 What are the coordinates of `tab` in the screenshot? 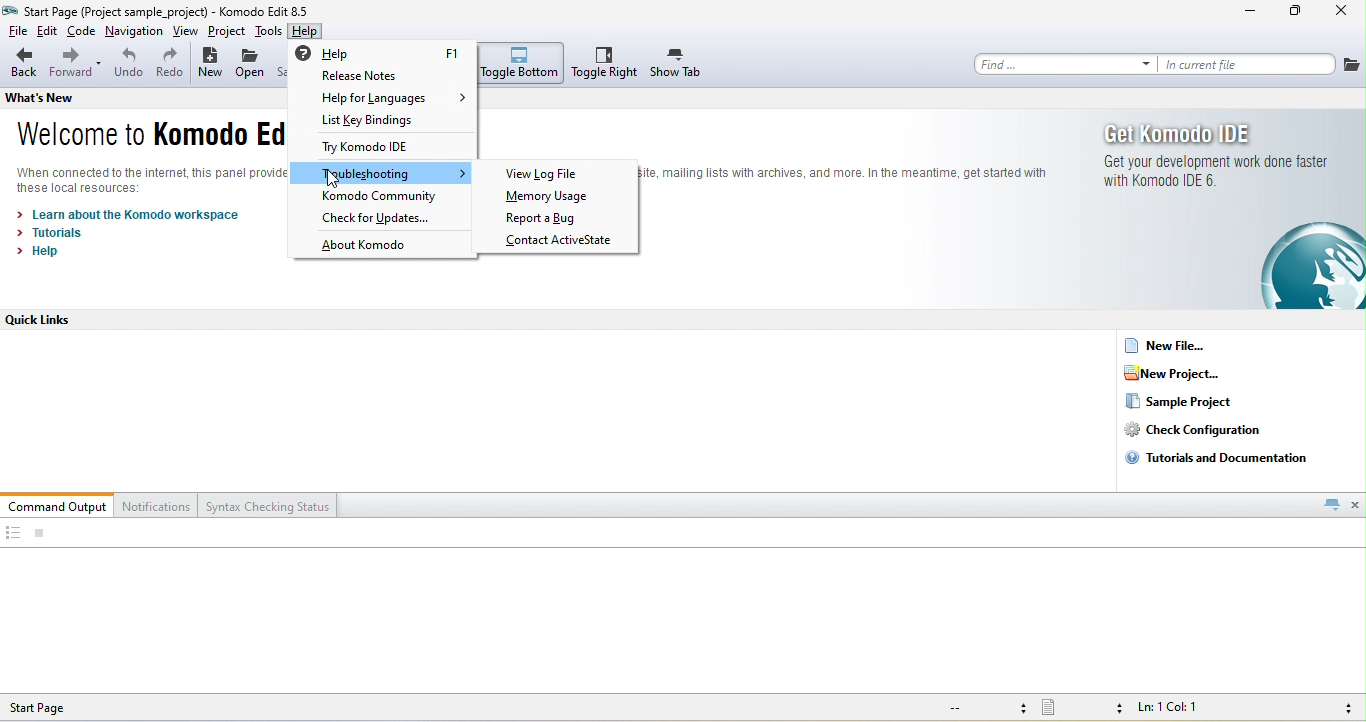 It's located at (1331, 504).